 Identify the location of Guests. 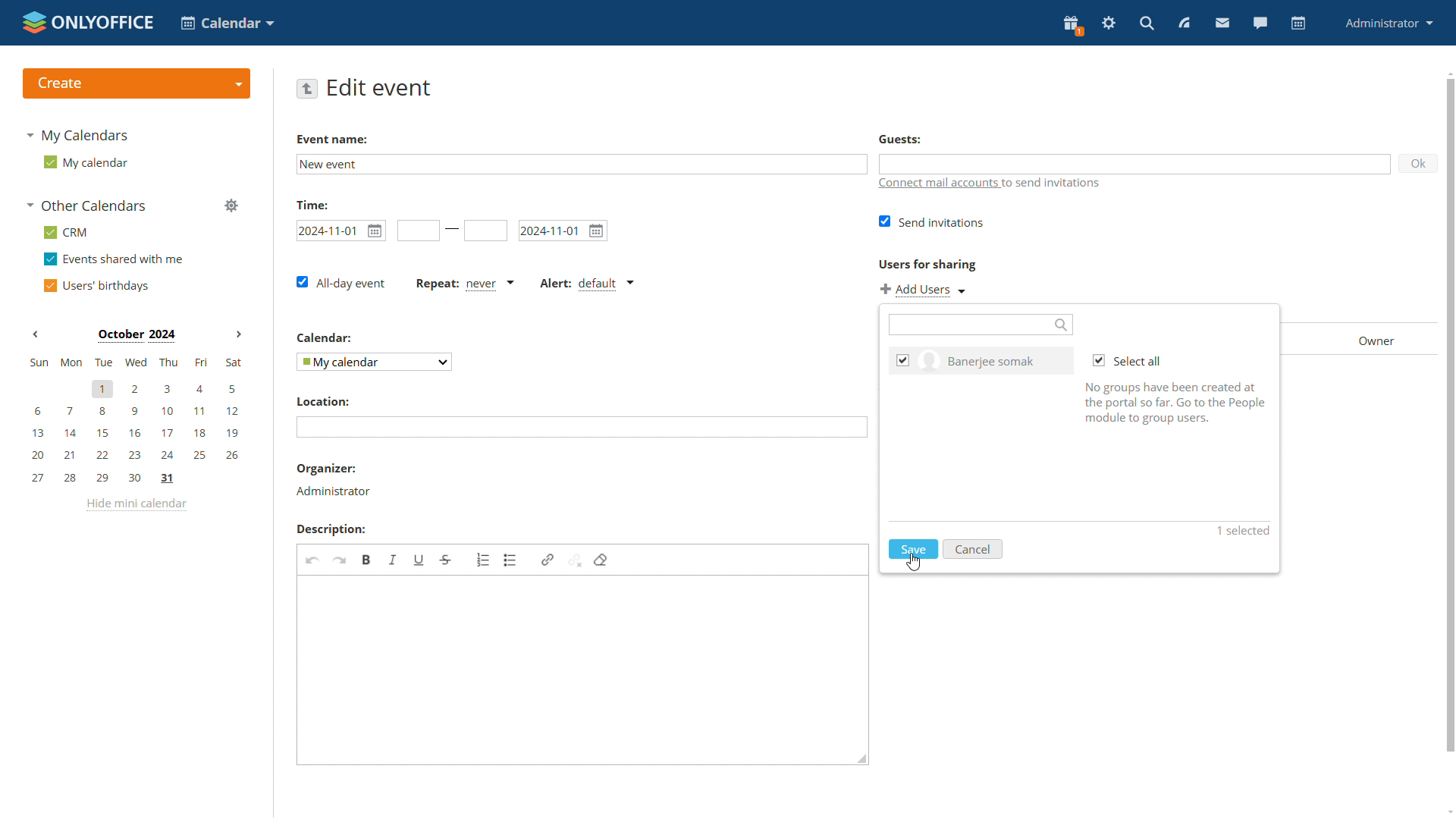
(900, 140).